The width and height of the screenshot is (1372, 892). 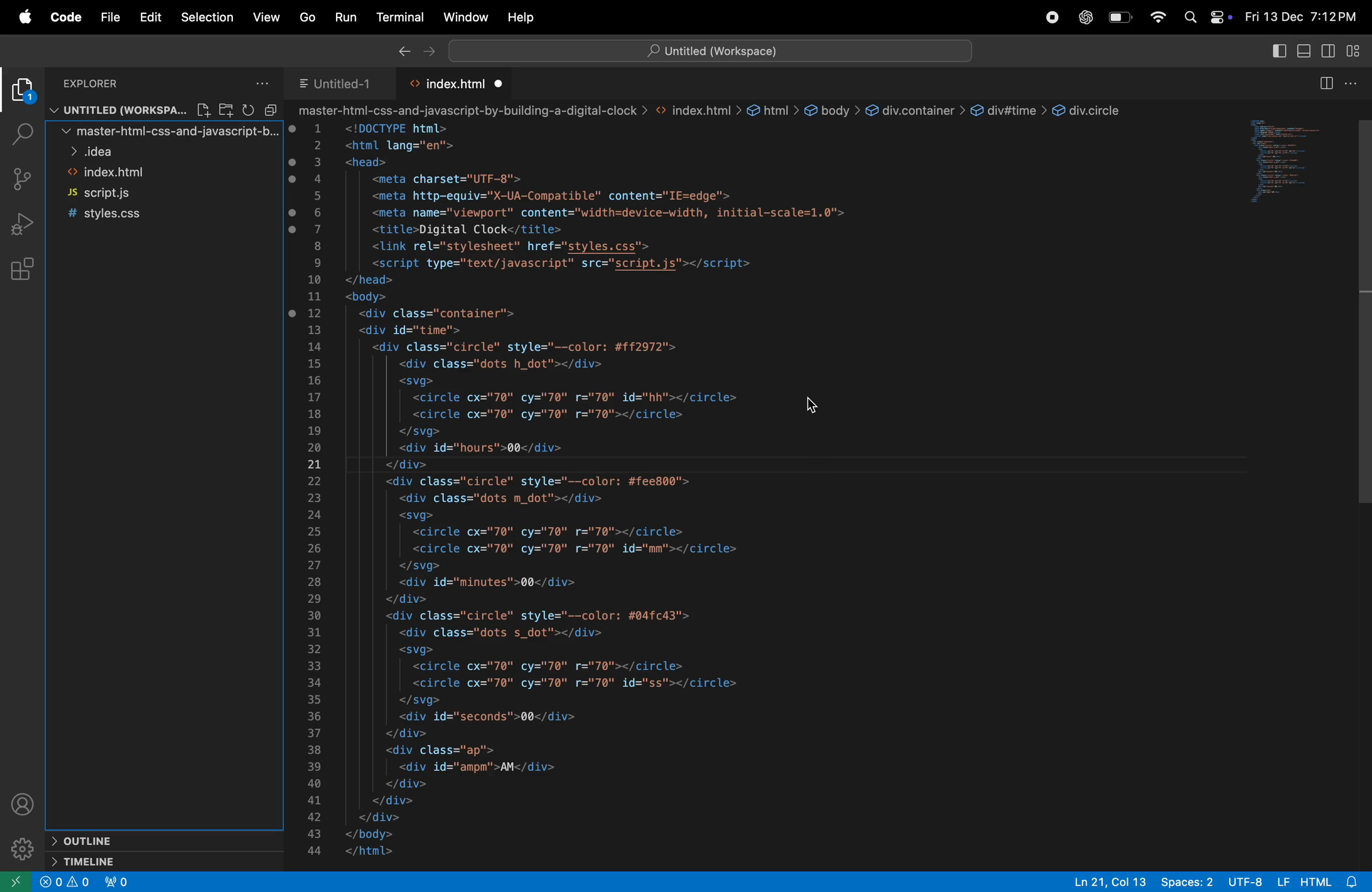 I want to click on utf 8, so click(x=1245, y=881).